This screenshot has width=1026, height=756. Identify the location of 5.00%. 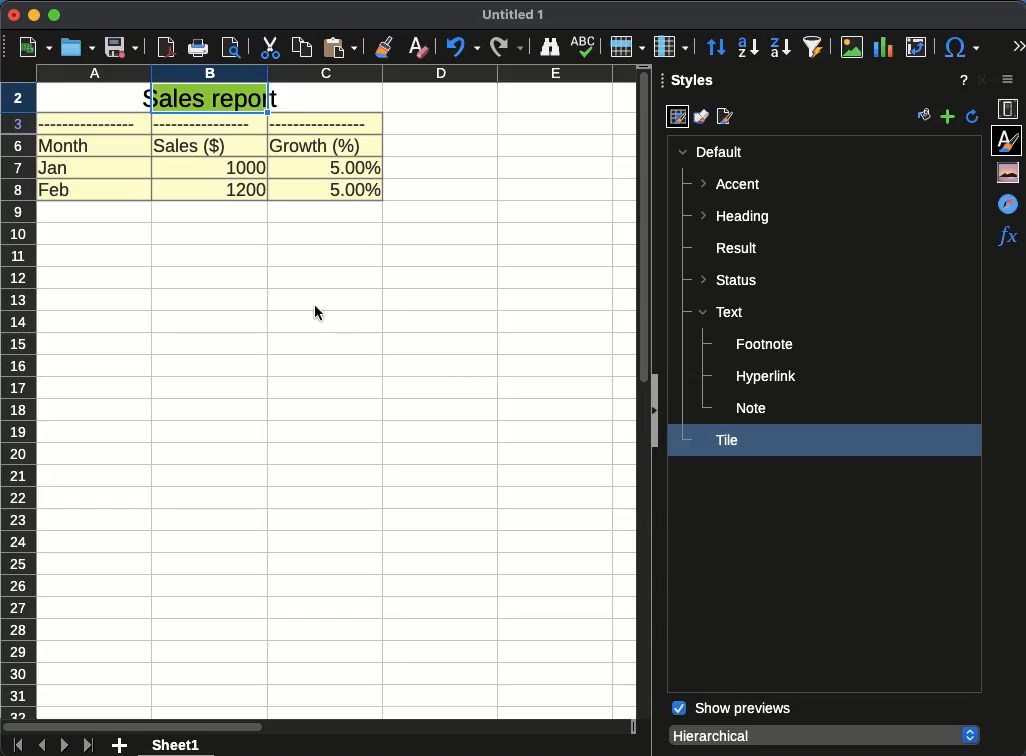
(354, 190).